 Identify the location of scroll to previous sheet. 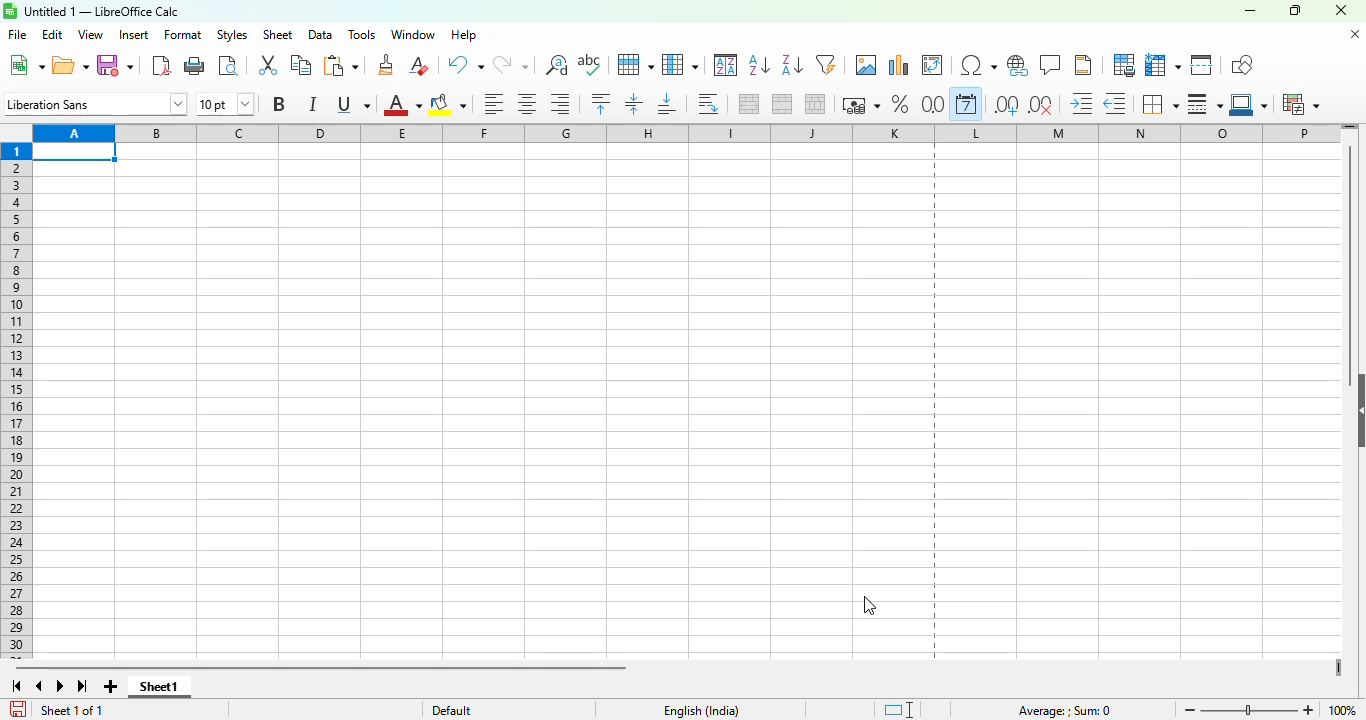
(40, 686).